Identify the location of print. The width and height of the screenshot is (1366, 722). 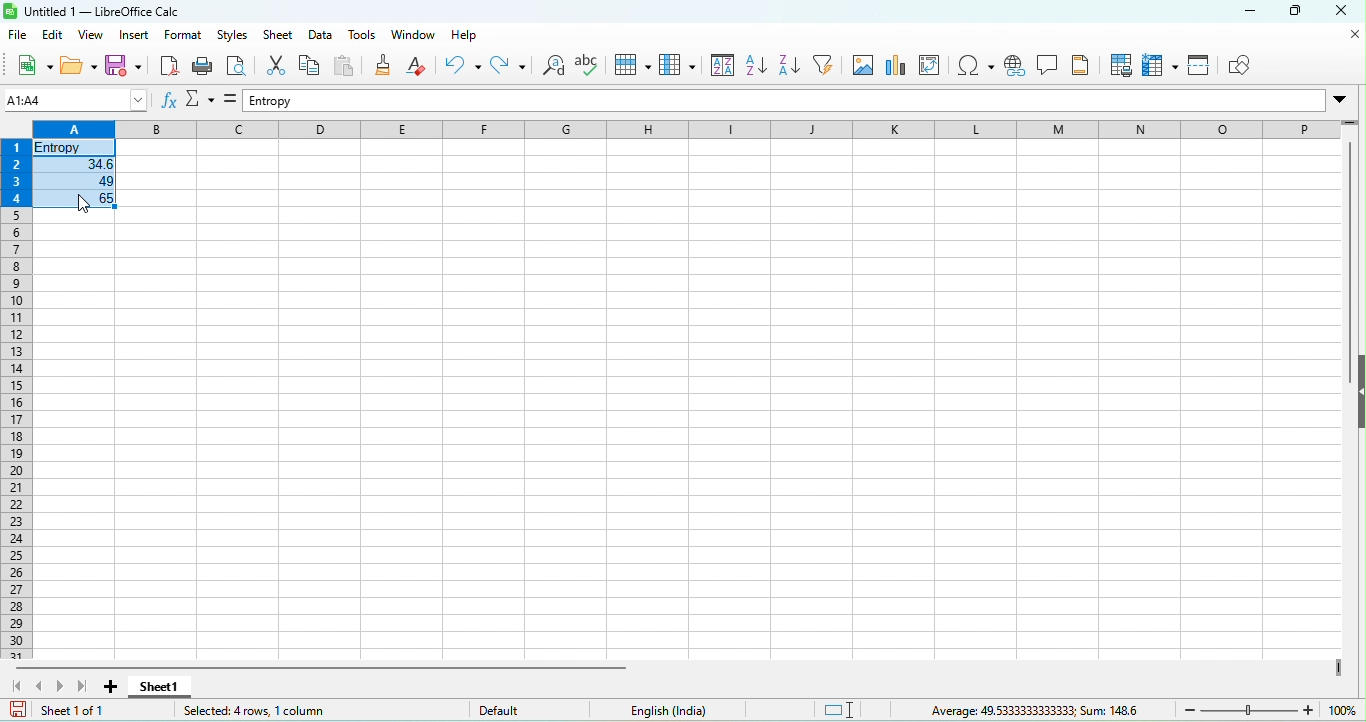
(205, 67).